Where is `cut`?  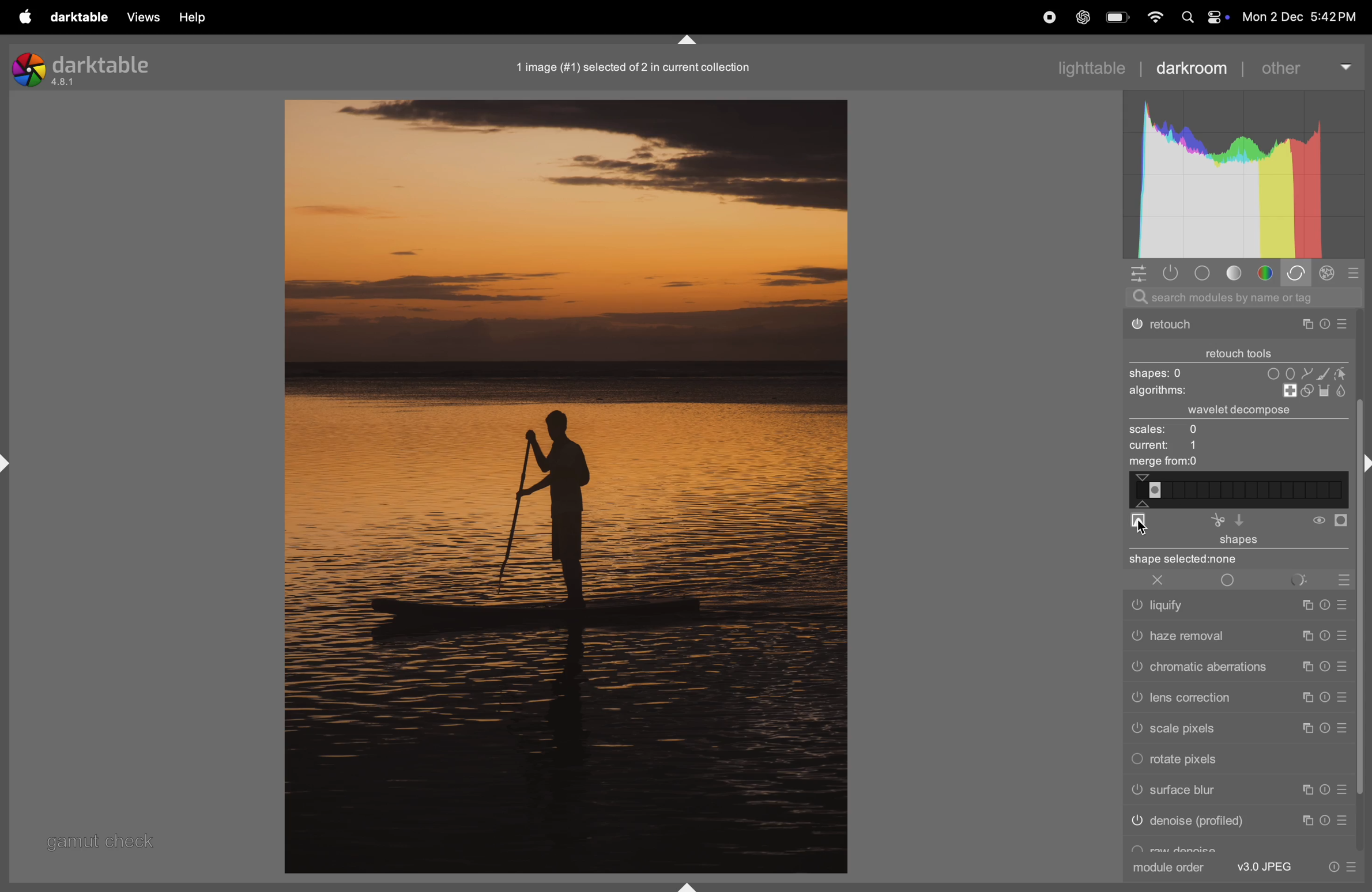
cut is located at coordinates (1216, 521).